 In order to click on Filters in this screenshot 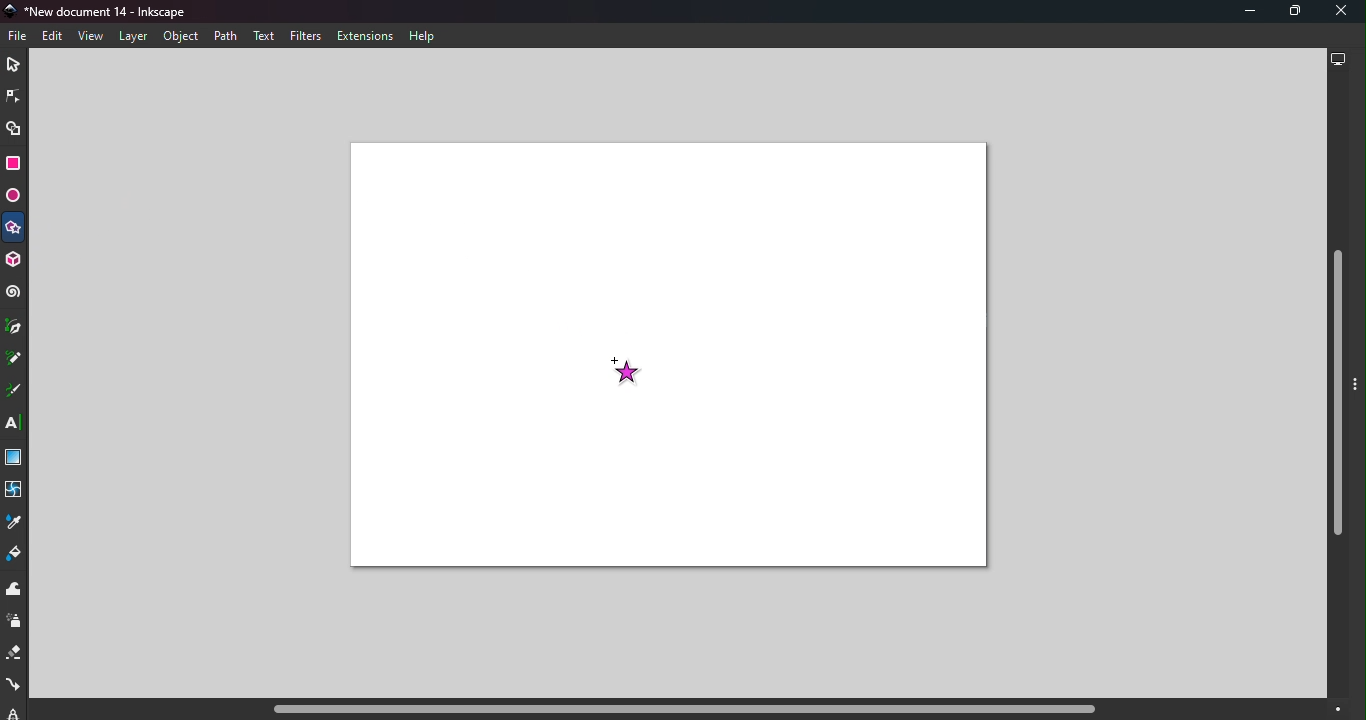, I will do `click(306, 36)`.